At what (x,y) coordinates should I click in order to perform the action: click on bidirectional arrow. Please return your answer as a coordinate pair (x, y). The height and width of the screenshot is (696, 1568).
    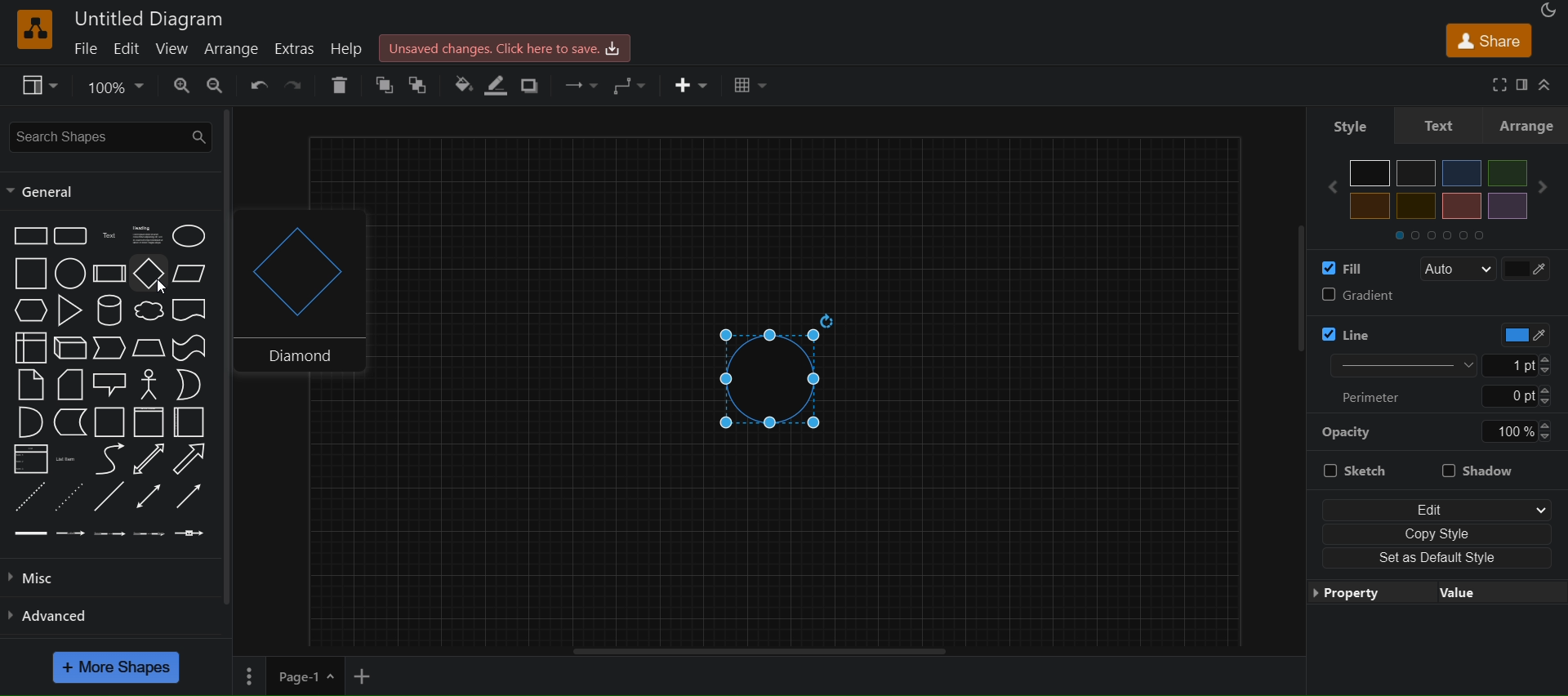
    Looking at the image, I should click on (145, 460).